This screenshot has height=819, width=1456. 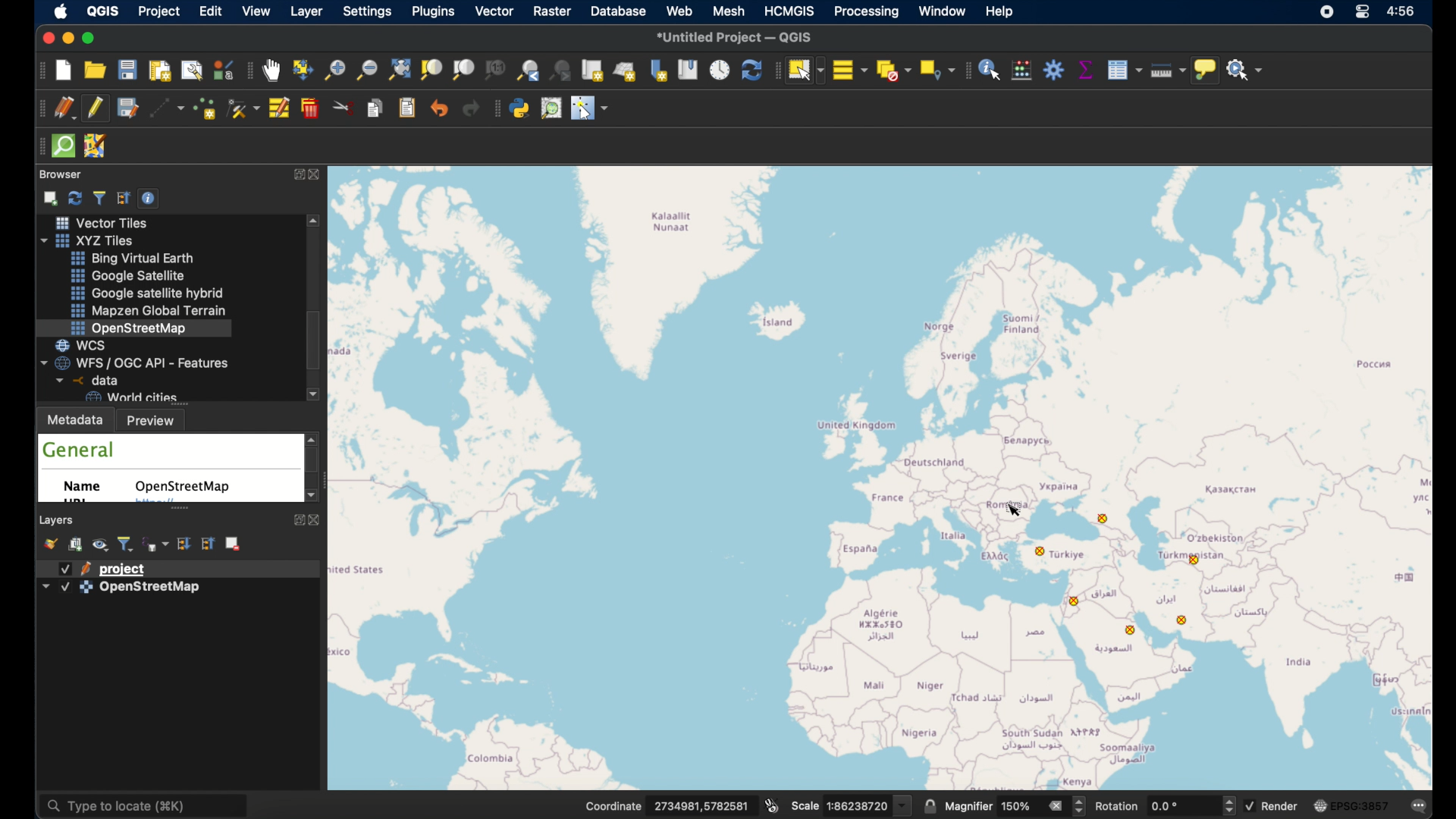 What do you see at coordinates (99, 196) in the screenshot?
I see `filter browser` at bounding box center [99, 196].